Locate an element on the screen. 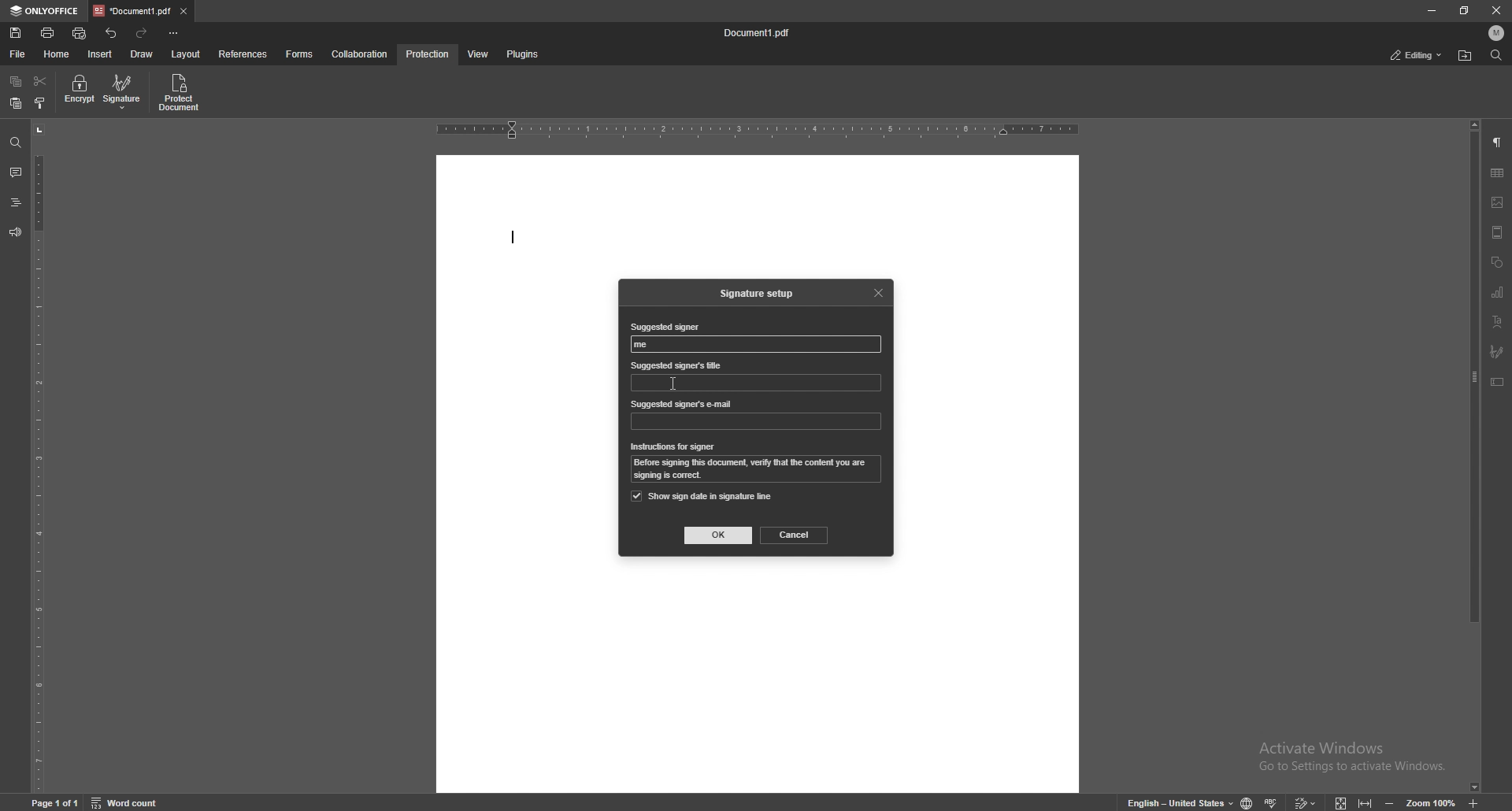 This screenshot has height=811, width=1512. comment is located at coordinates (13, 172).